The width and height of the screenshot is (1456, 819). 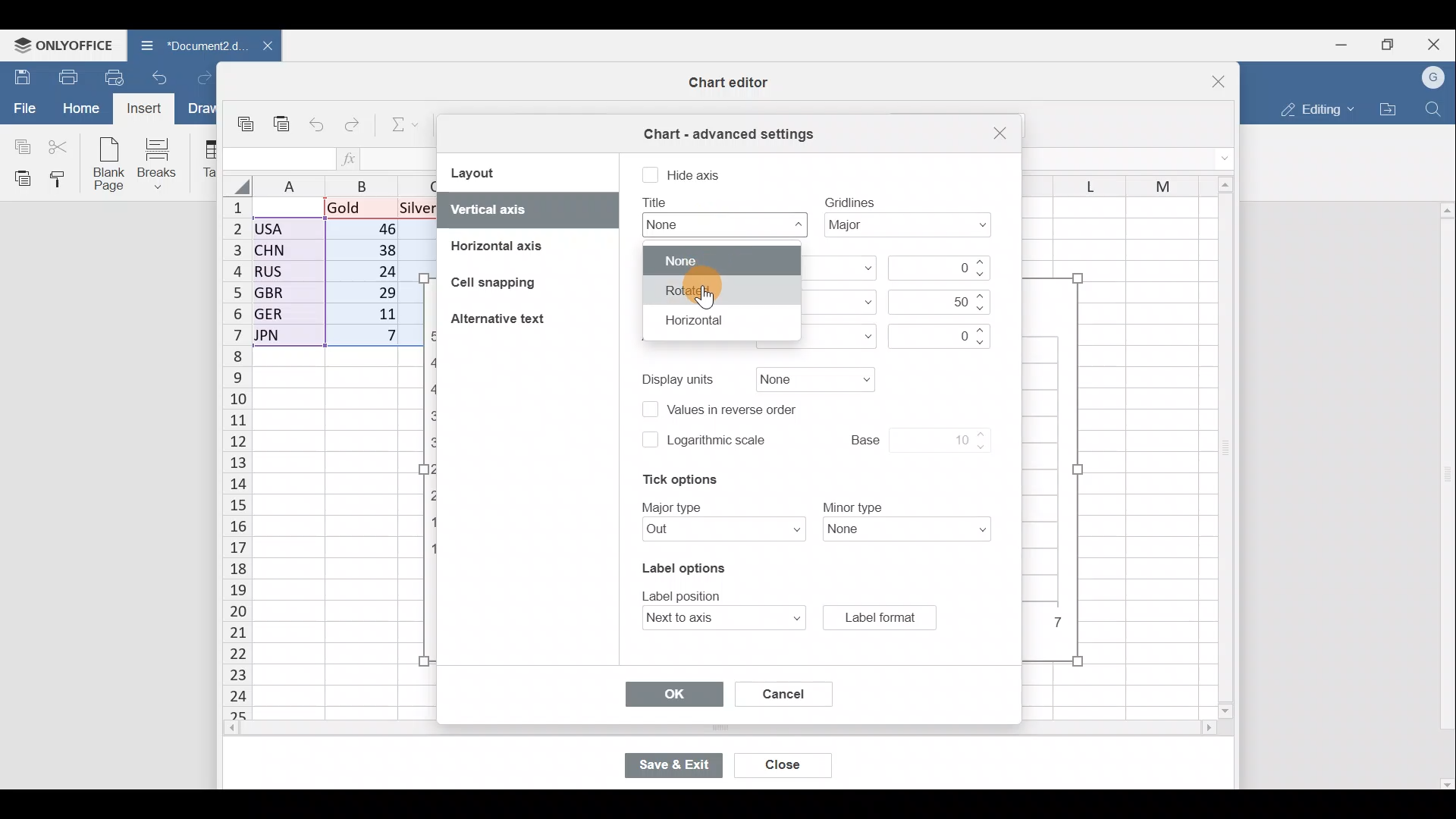 I want to click on text, so click(x=657, y=202).